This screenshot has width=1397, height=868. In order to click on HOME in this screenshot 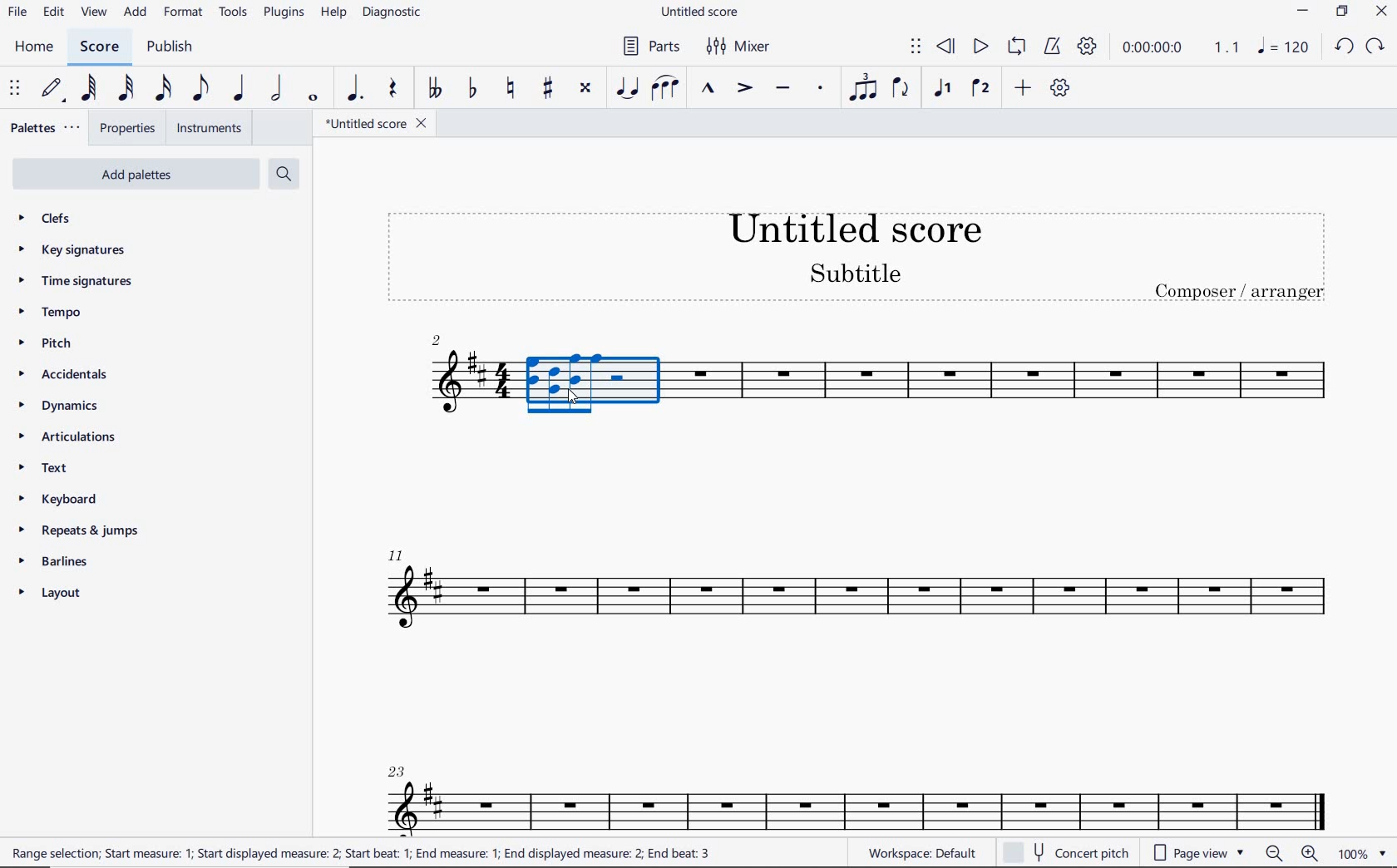, I will do `click(33, 47)`.